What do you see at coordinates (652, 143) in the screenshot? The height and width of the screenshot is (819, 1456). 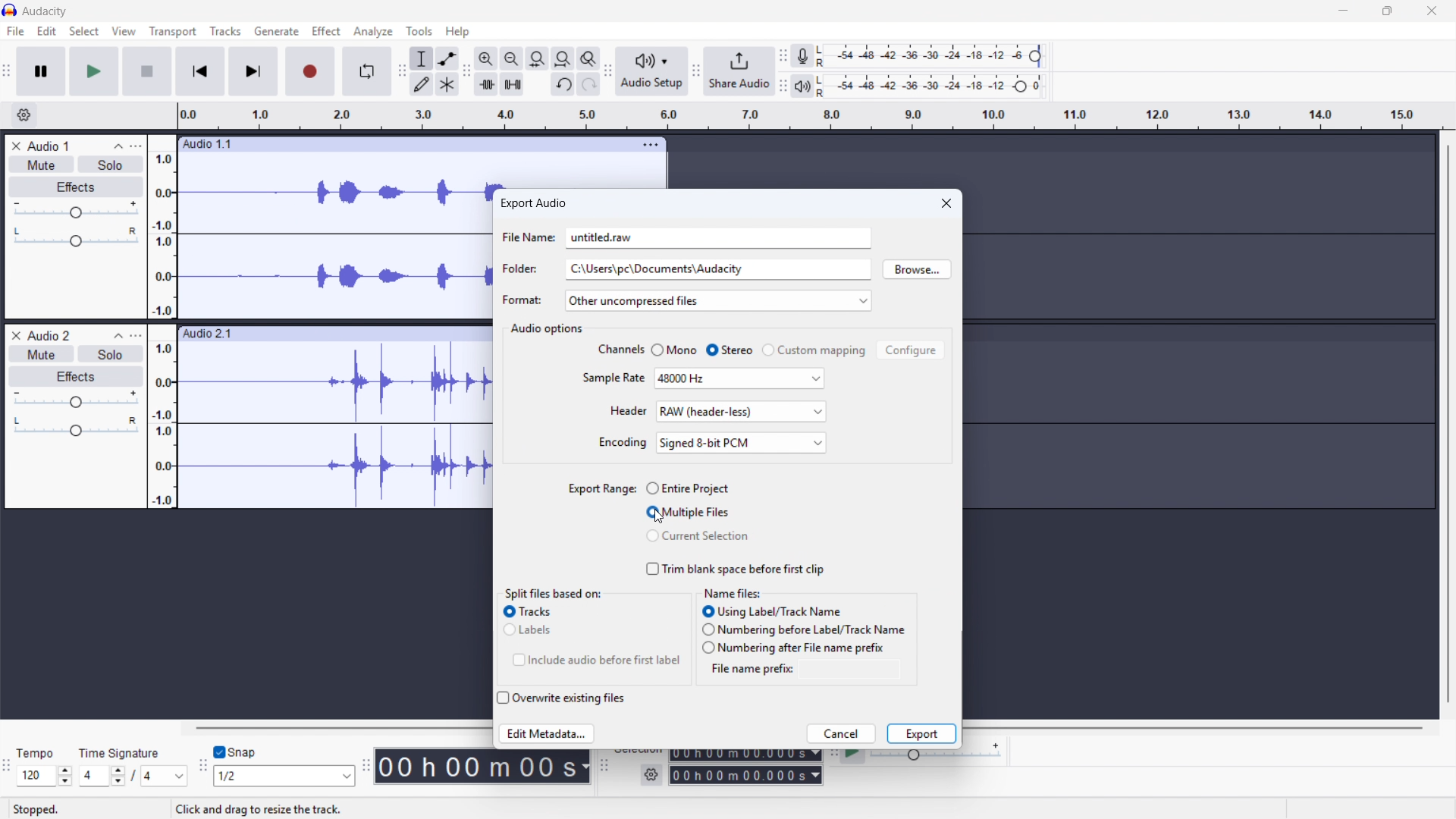 I see `Open track options` at bounding box center [652, 143].